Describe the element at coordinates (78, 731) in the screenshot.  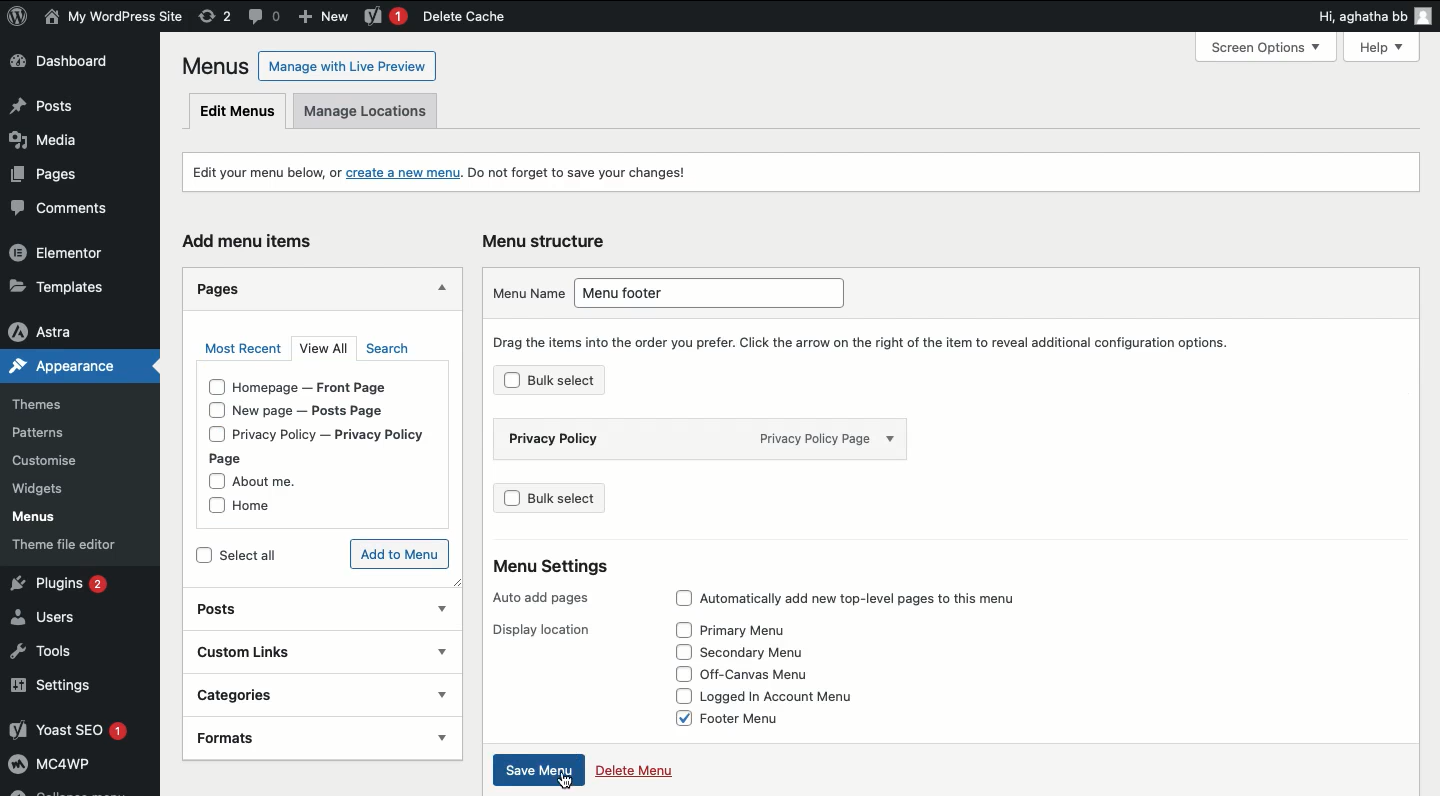
I see ` Yoast SEO ` at that location.